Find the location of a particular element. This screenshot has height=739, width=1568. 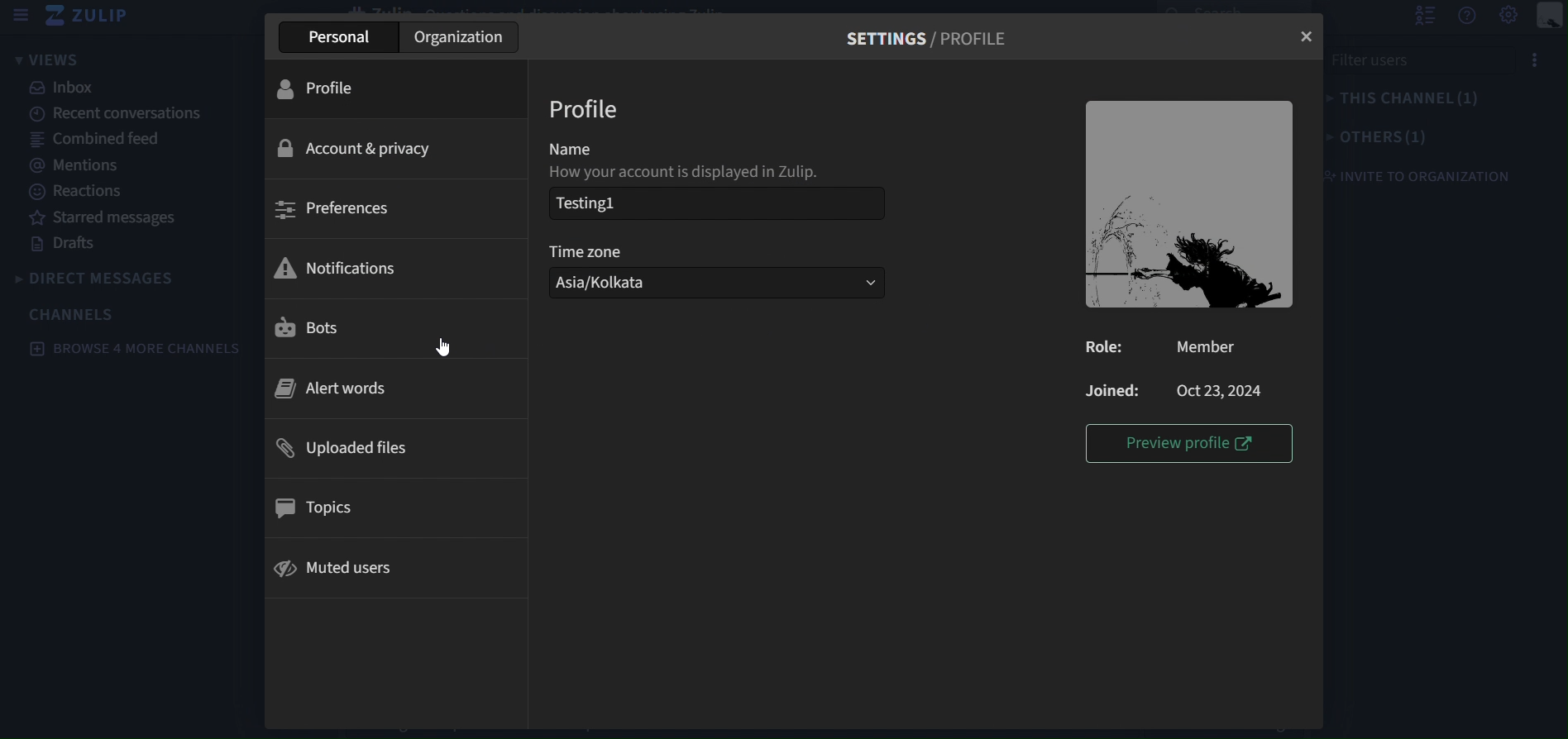

channels is located at coordinates (83, 313).